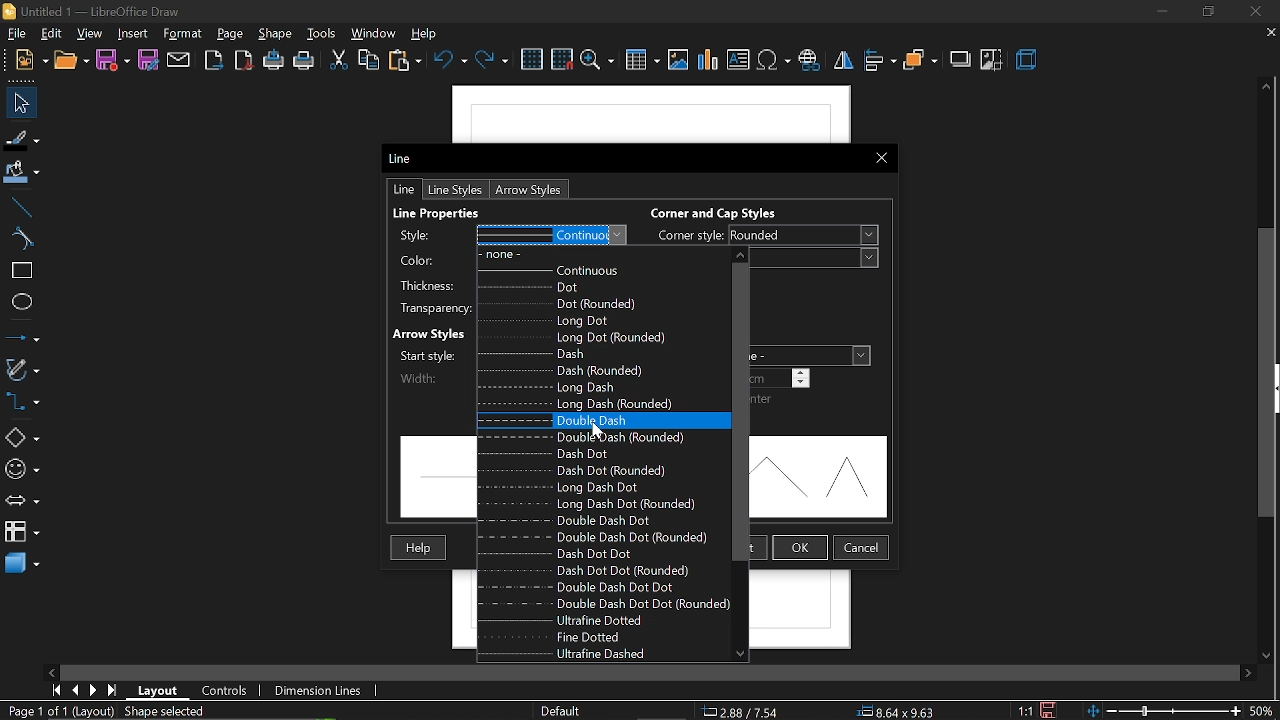 The width and height of the screenshot is (1280, 720). Describe the element at coordinates (433, 376) in the screenshot. I see `start width` at that location.